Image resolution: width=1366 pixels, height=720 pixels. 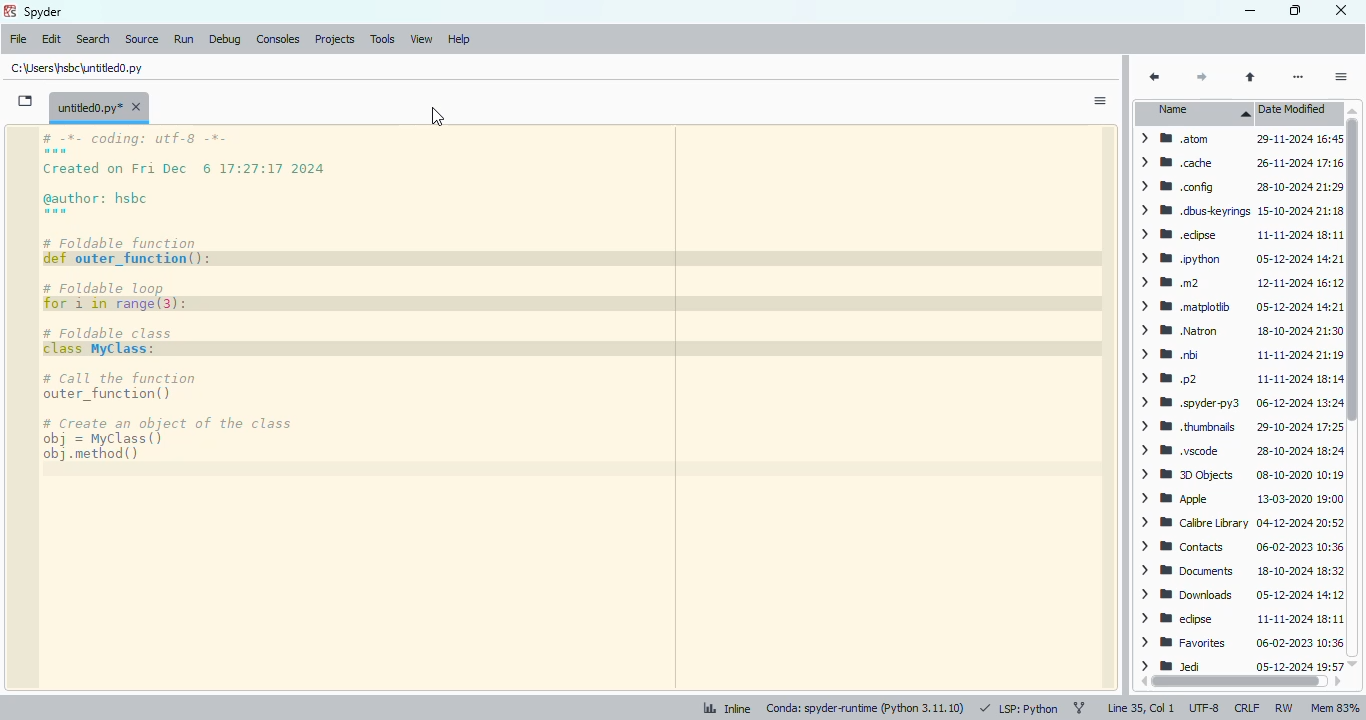 I want to click on horizontal scroll bar, so click(x=1242, y=681).